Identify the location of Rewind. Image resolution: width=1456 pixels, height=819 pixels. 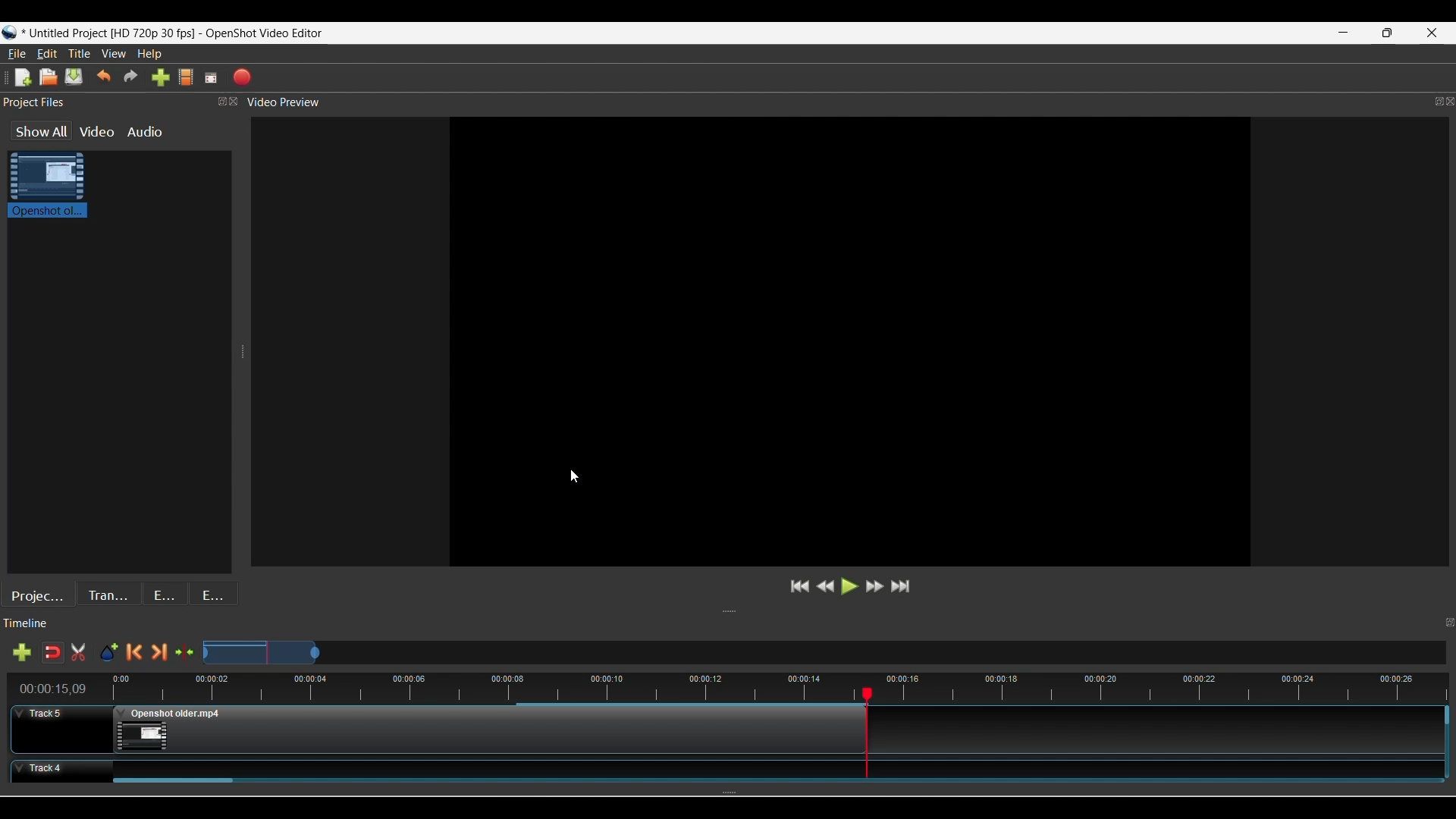
(826, 586).